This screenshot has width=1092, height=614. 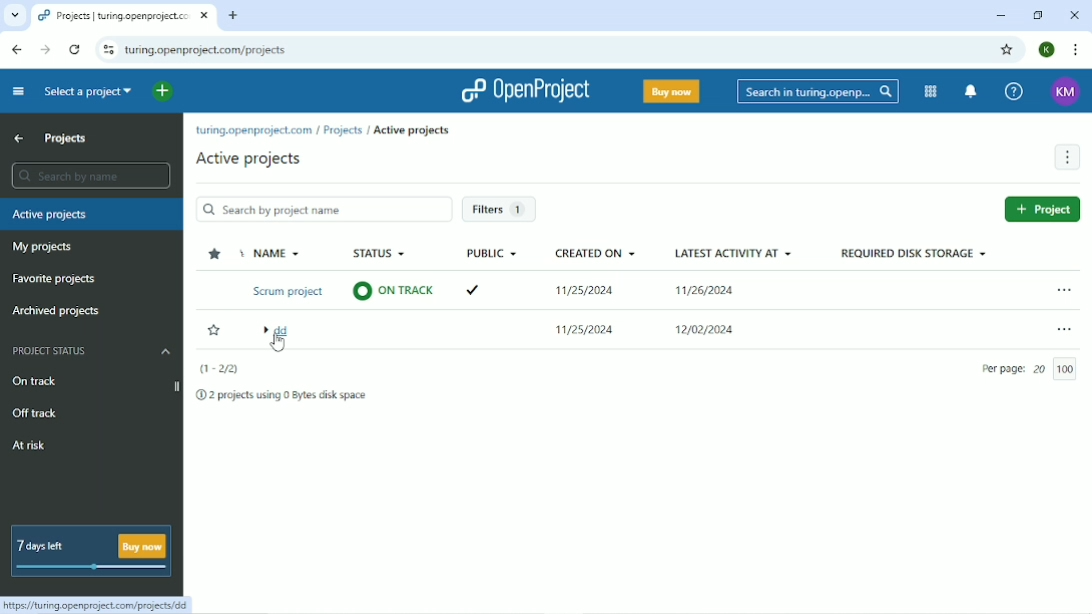 What do you see at coordinates (915, 257) in the screenshot?
I see `Required disk storage` at bounding box center [915, 257].